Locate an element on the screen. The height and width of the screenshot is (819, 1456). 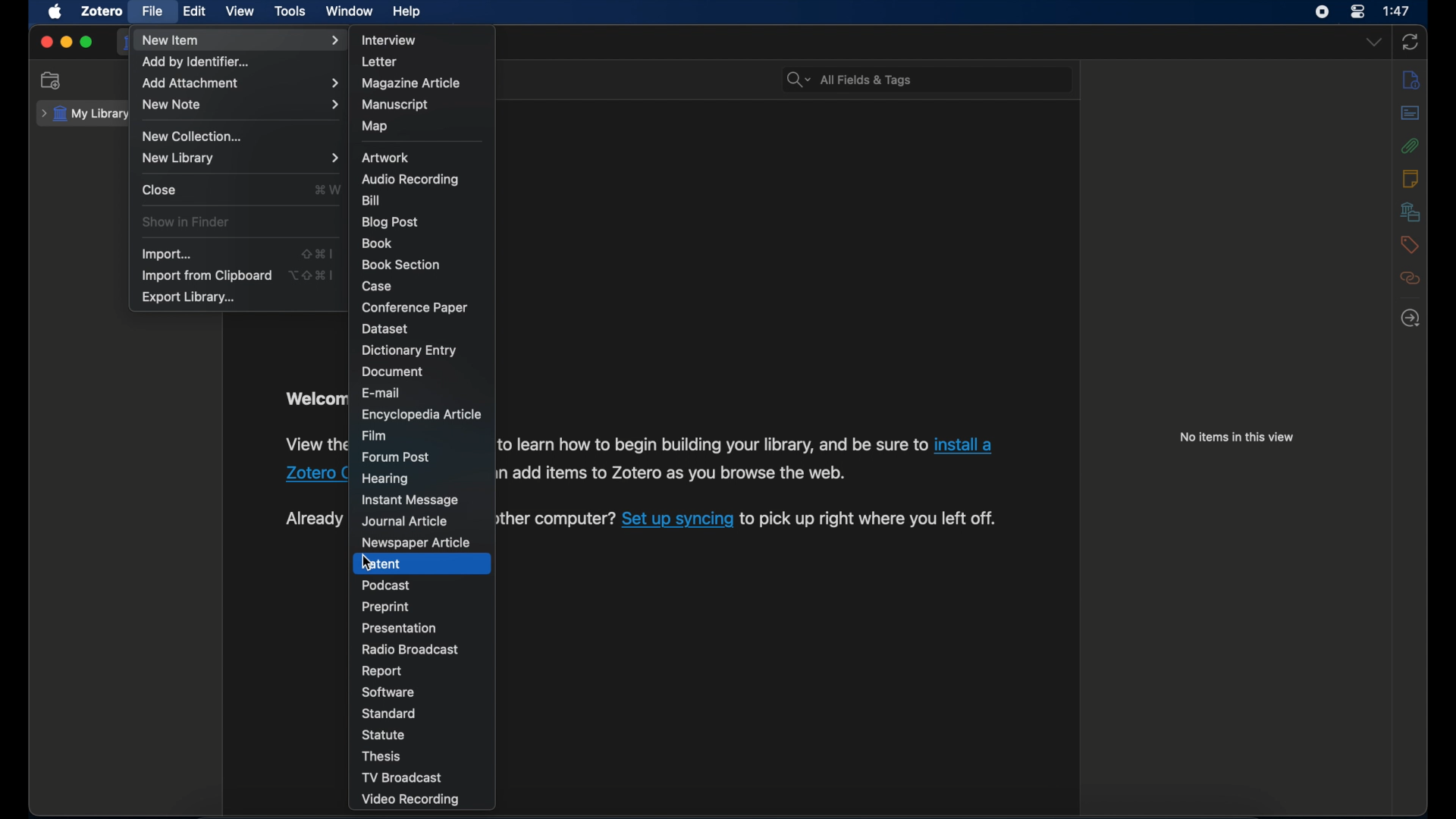
edit is located at coordinates (194, 11).